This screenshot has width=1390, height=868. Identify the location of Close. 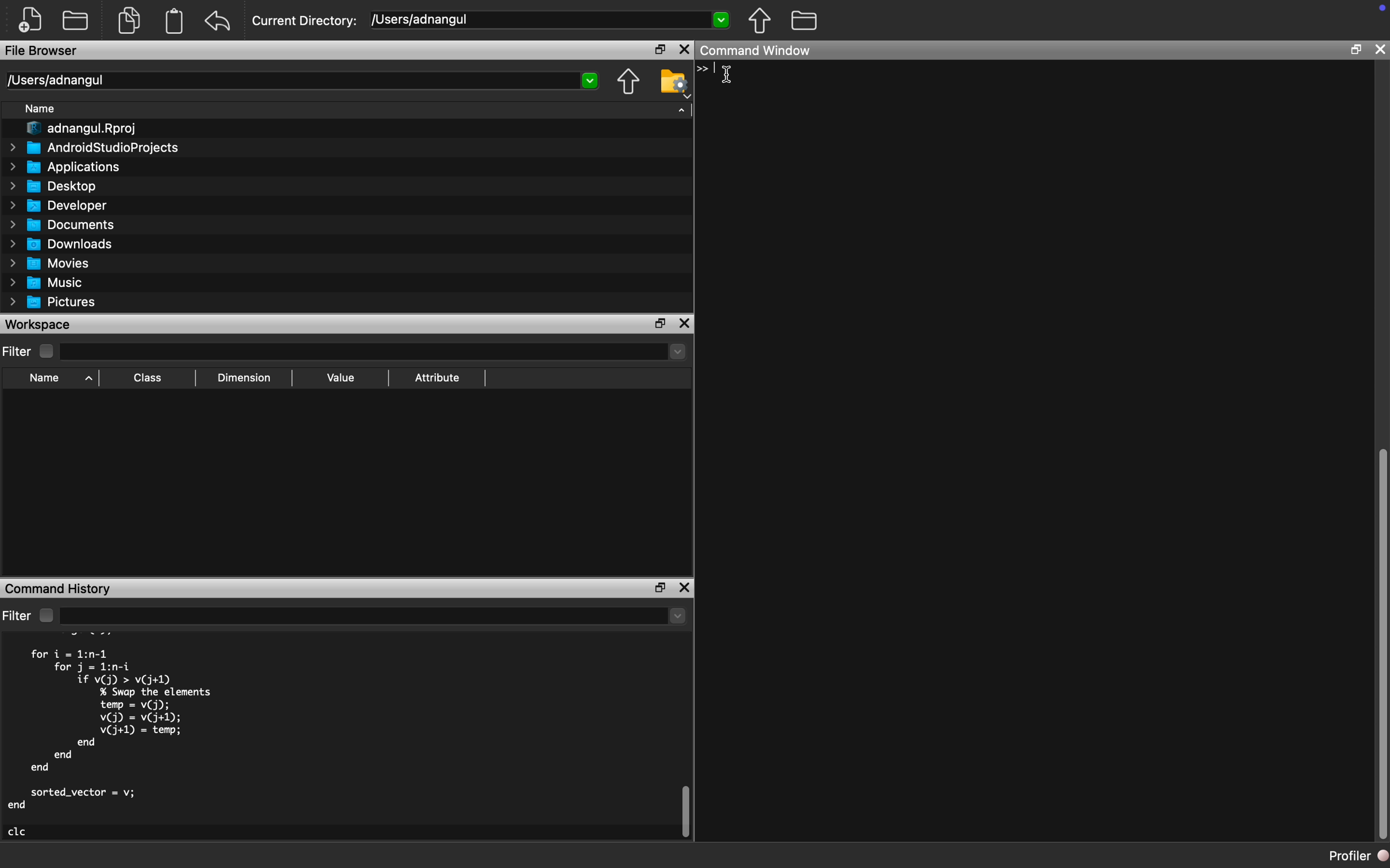
(1379, 49).